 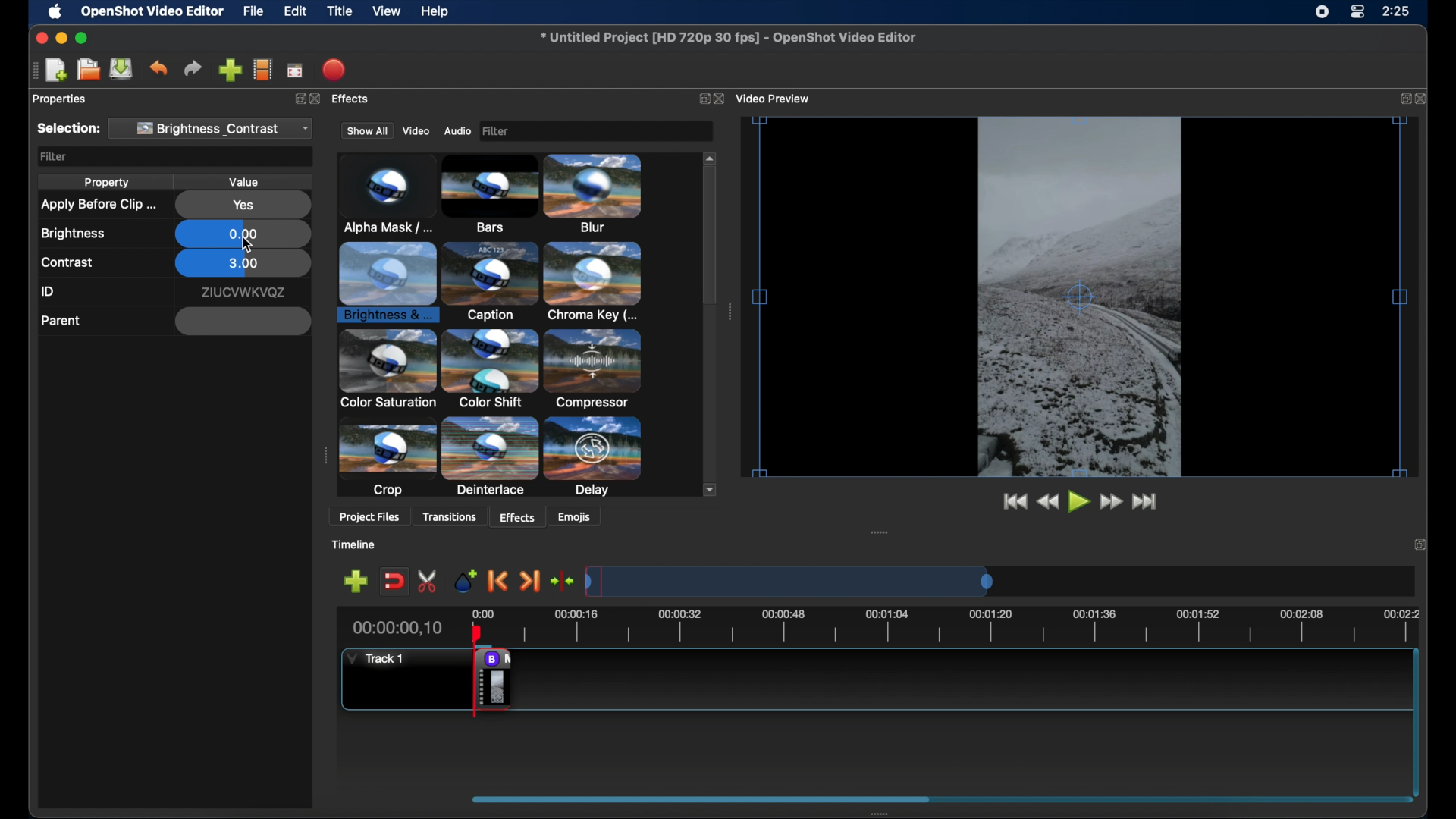 I want to click on chroma key, so click(x=388, y=282).